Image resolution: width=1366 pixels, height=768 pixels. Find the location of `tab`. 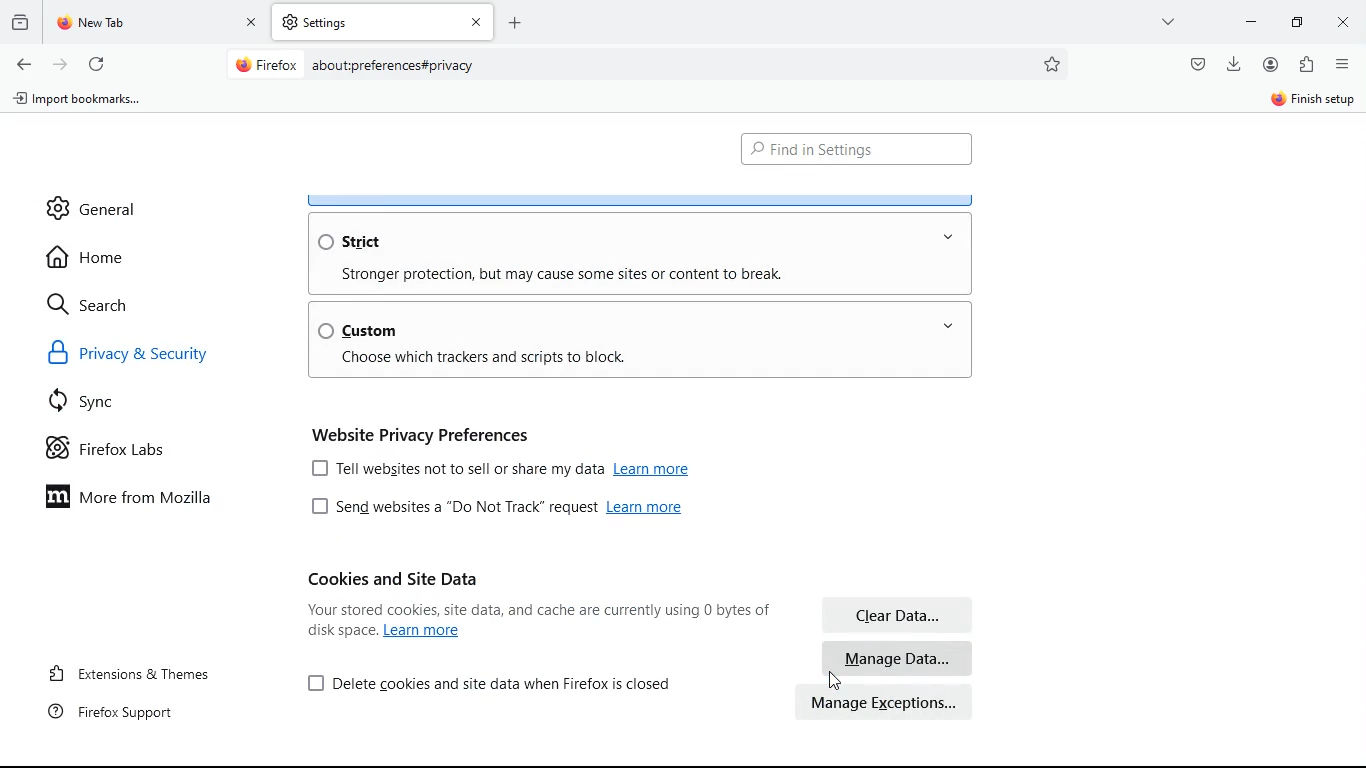

tab is located at coordinates (158, 23).